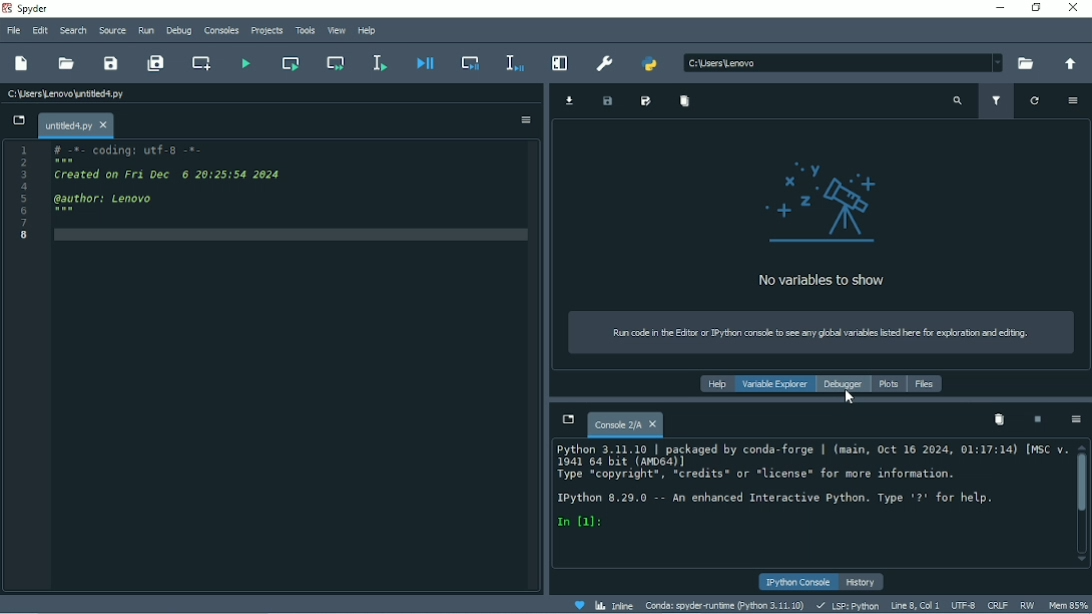  Describe the element at coordinates (1077, 420) in the screenshot. I see `Options` at that location.